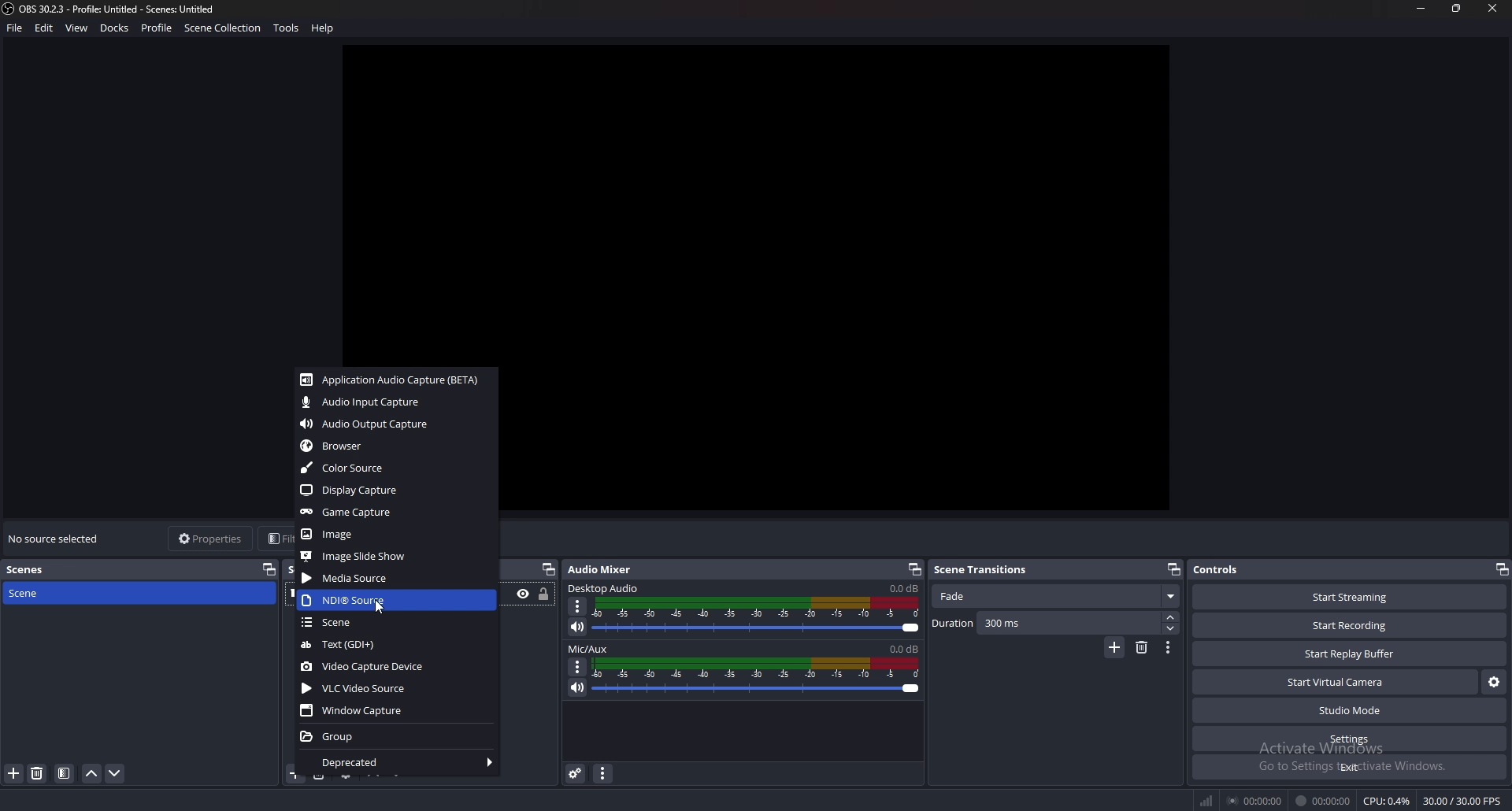 The image size is (1512, 811). Describe the element at coordinates (1492, 9) in the screenshot. I see `Close` at that location.